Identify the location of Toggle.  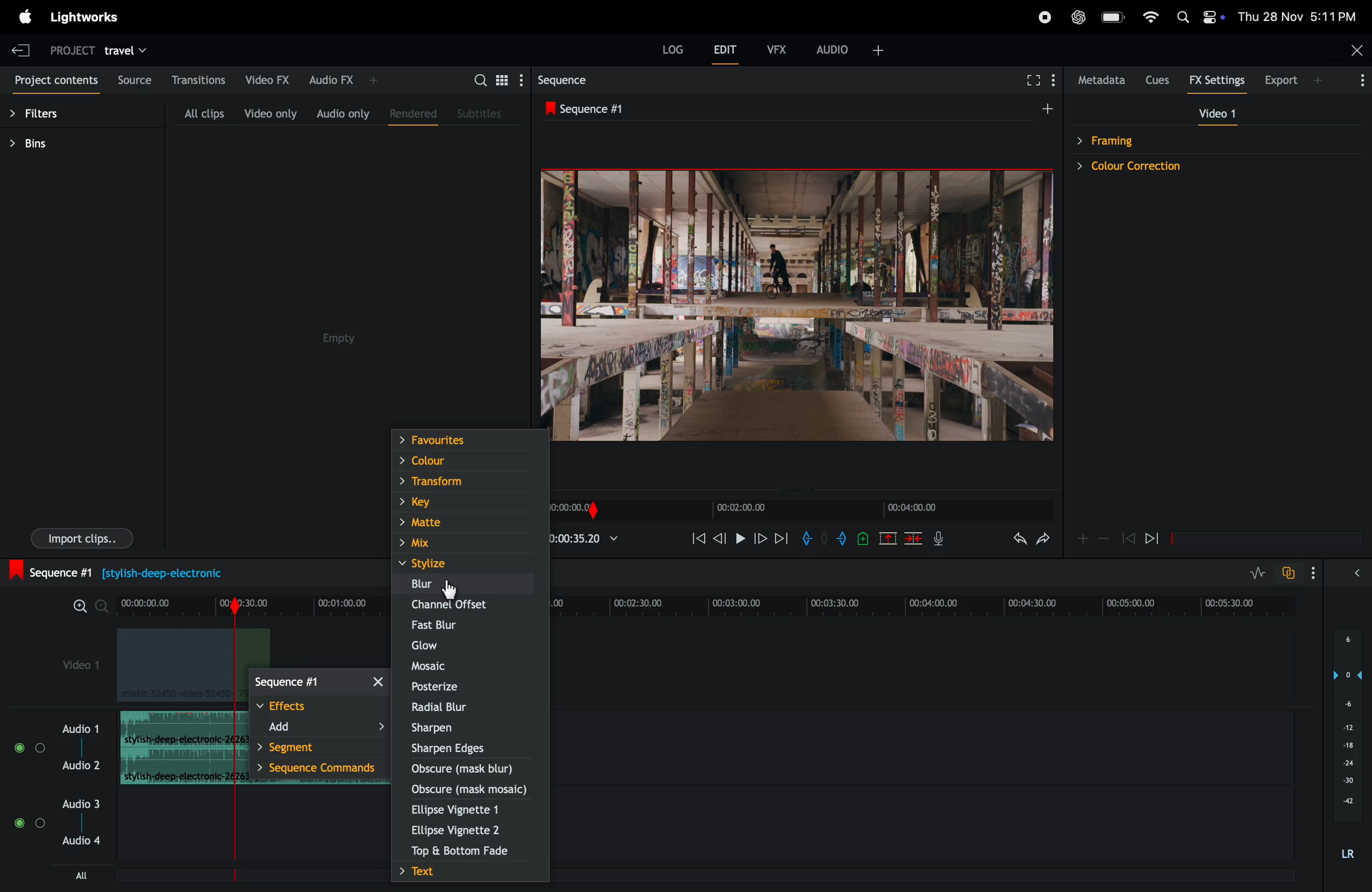
(42, 747).